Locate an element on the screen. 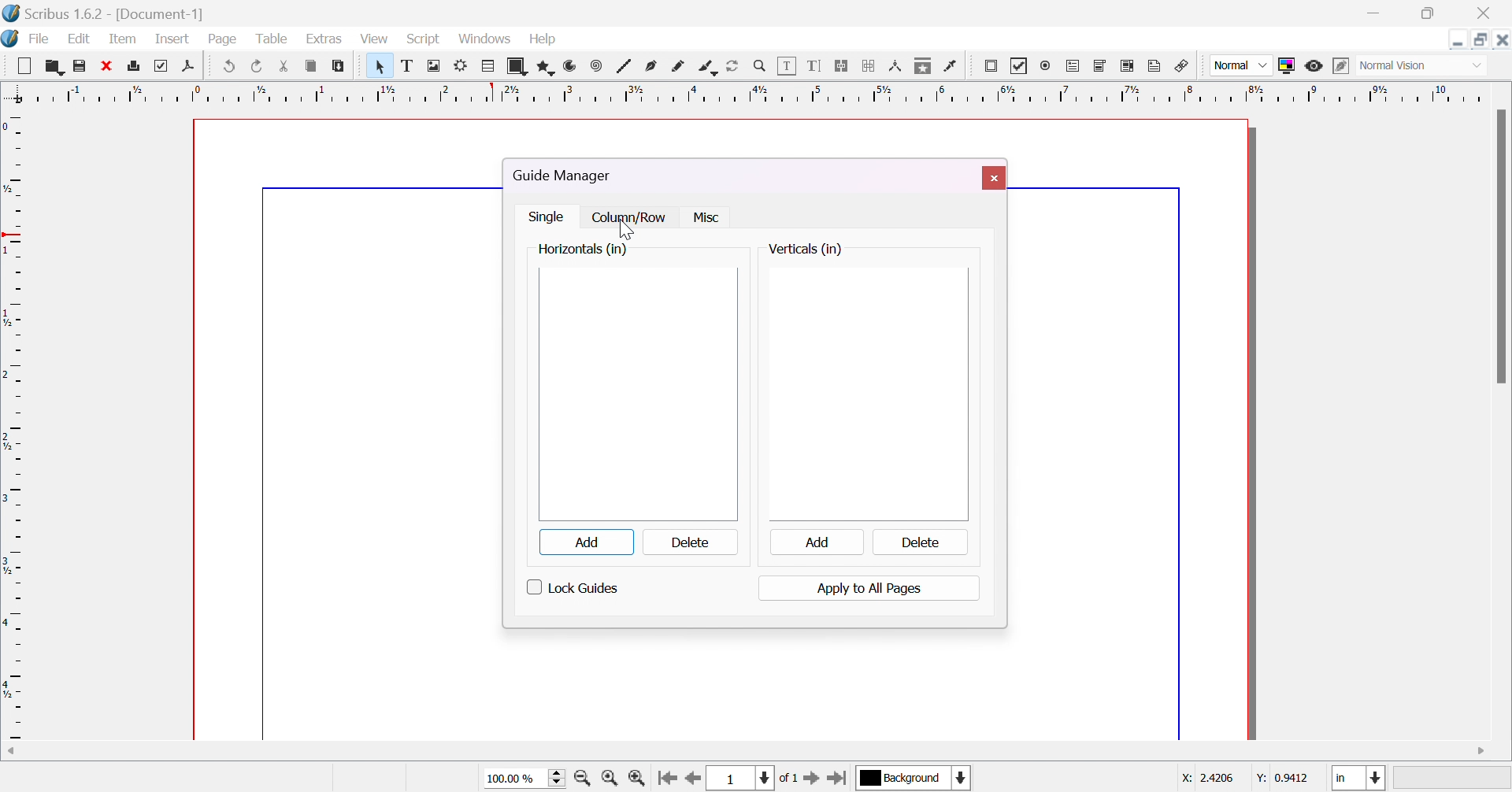 The width and height of the screenshot is (1512, 792). copy is located at coordinates (313, 65).